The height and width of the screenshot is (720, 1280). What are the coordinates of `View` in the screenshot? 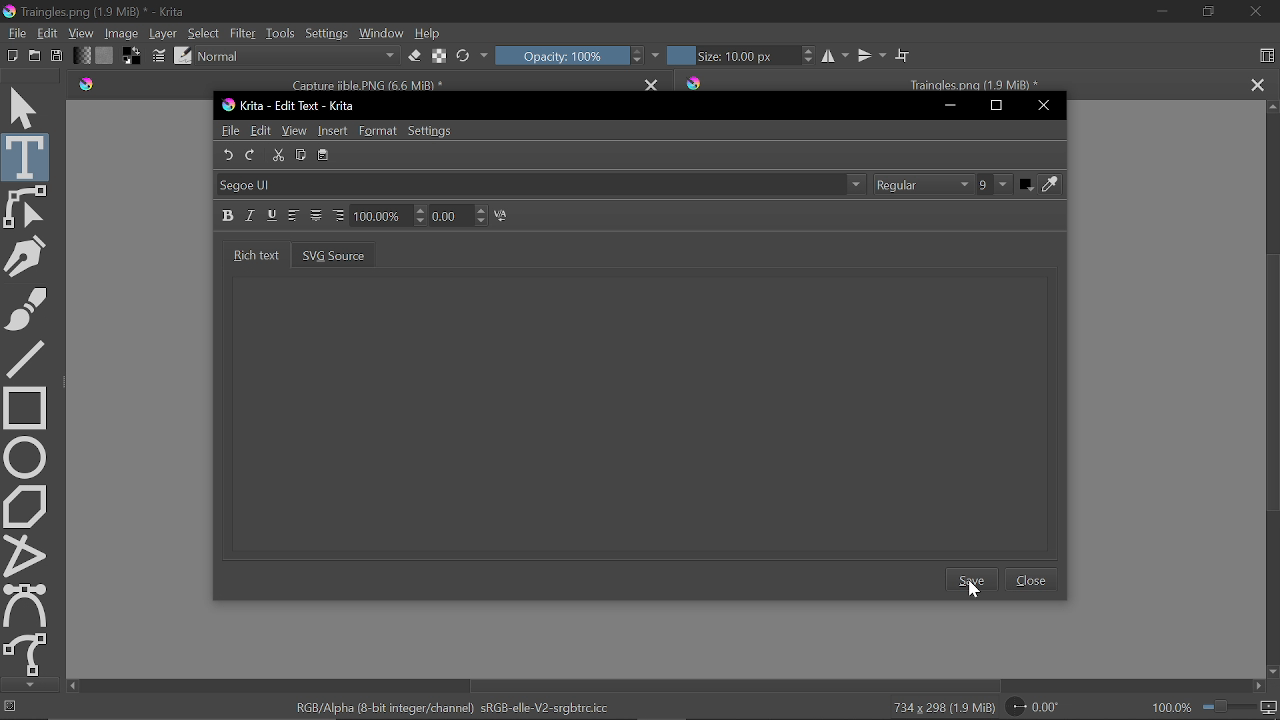 It's located at (295, 131).